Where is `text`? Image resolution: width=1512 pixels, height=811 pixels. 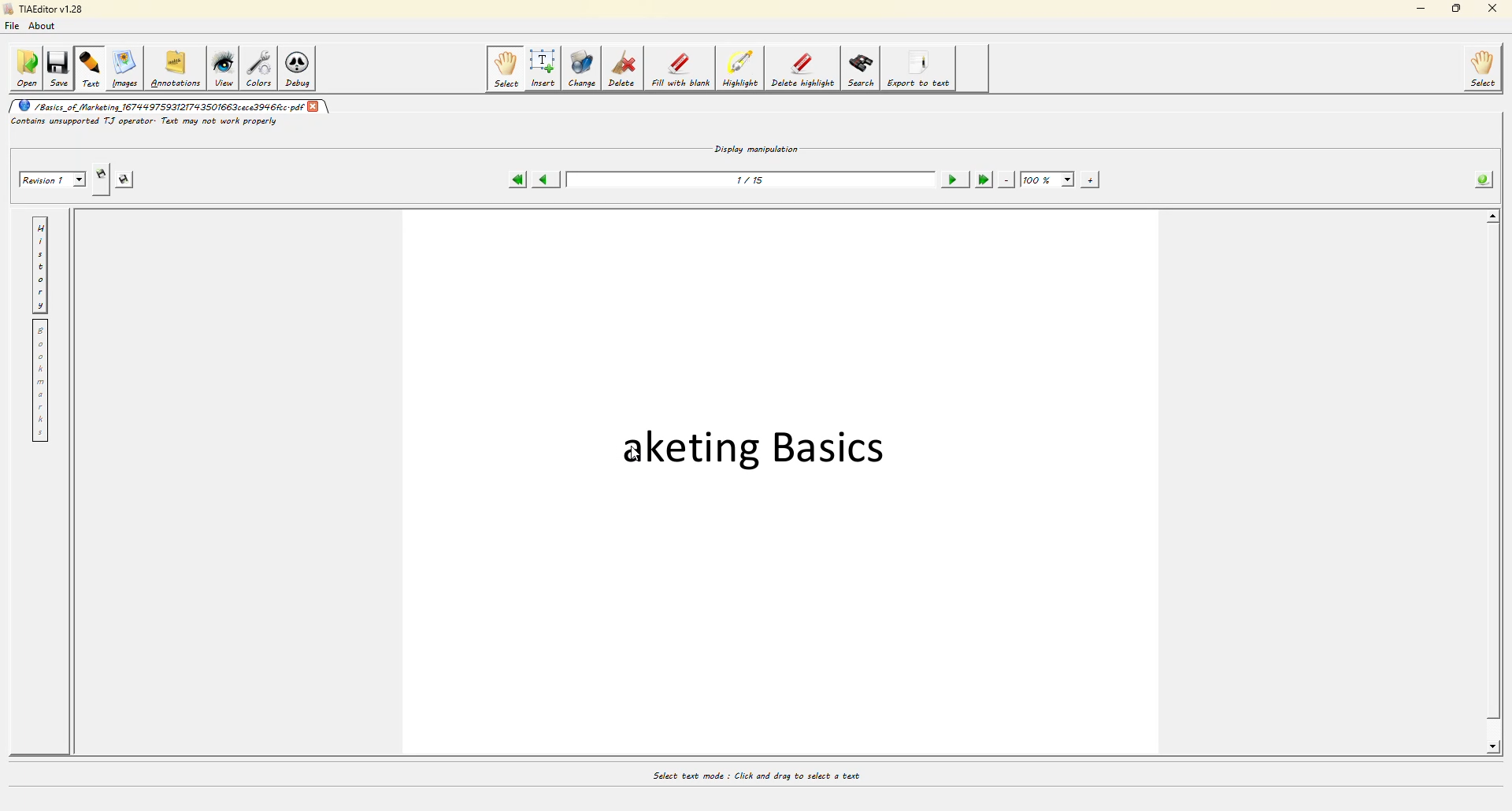
text is located at coordinates (747, 459).